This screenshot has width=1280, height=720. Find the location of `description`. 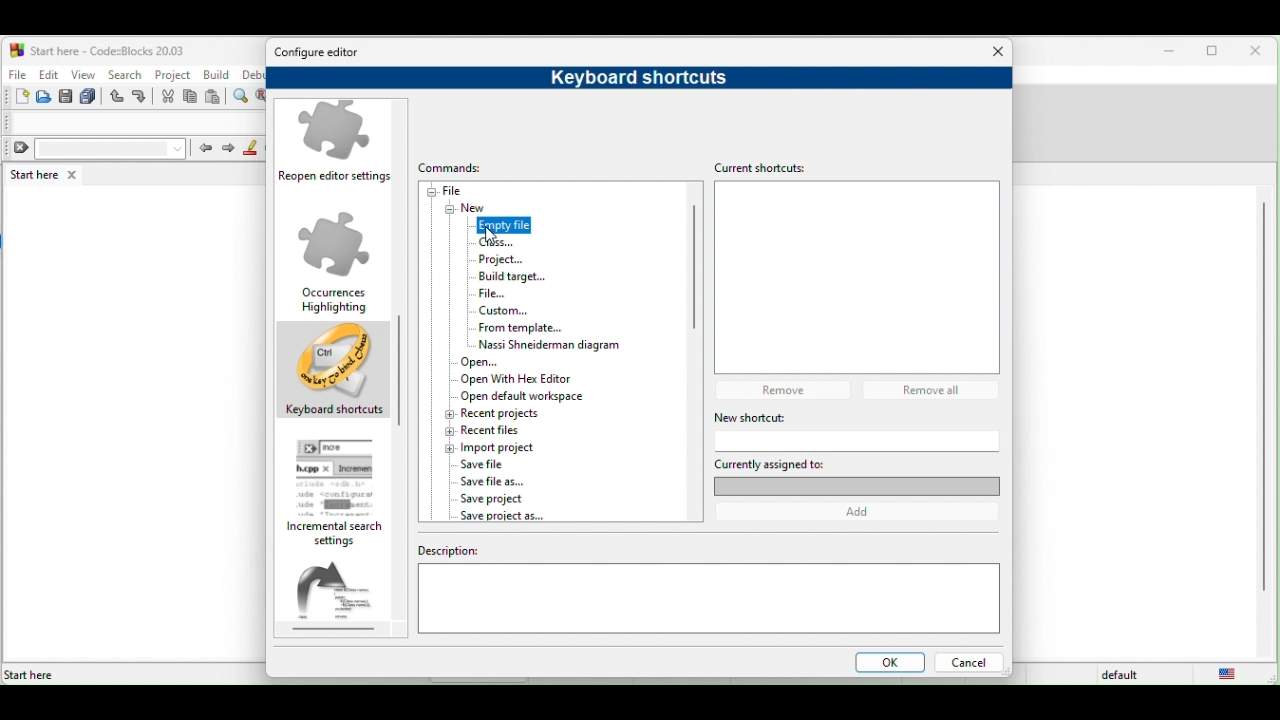

description is located at coordinates (708, 595).